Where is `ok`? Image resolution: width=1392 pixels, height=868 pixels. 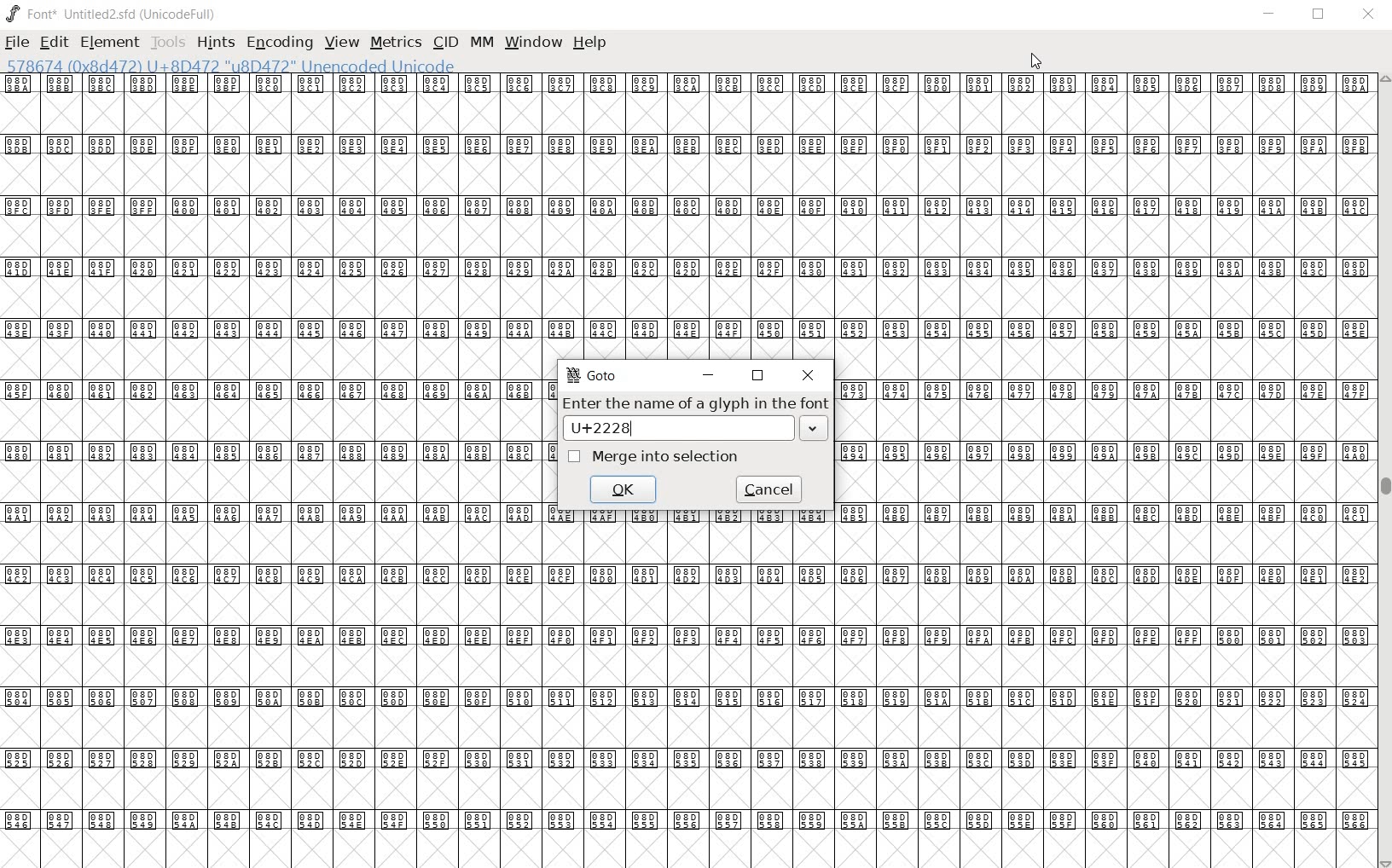
ok is located at coordinates (623, 490).